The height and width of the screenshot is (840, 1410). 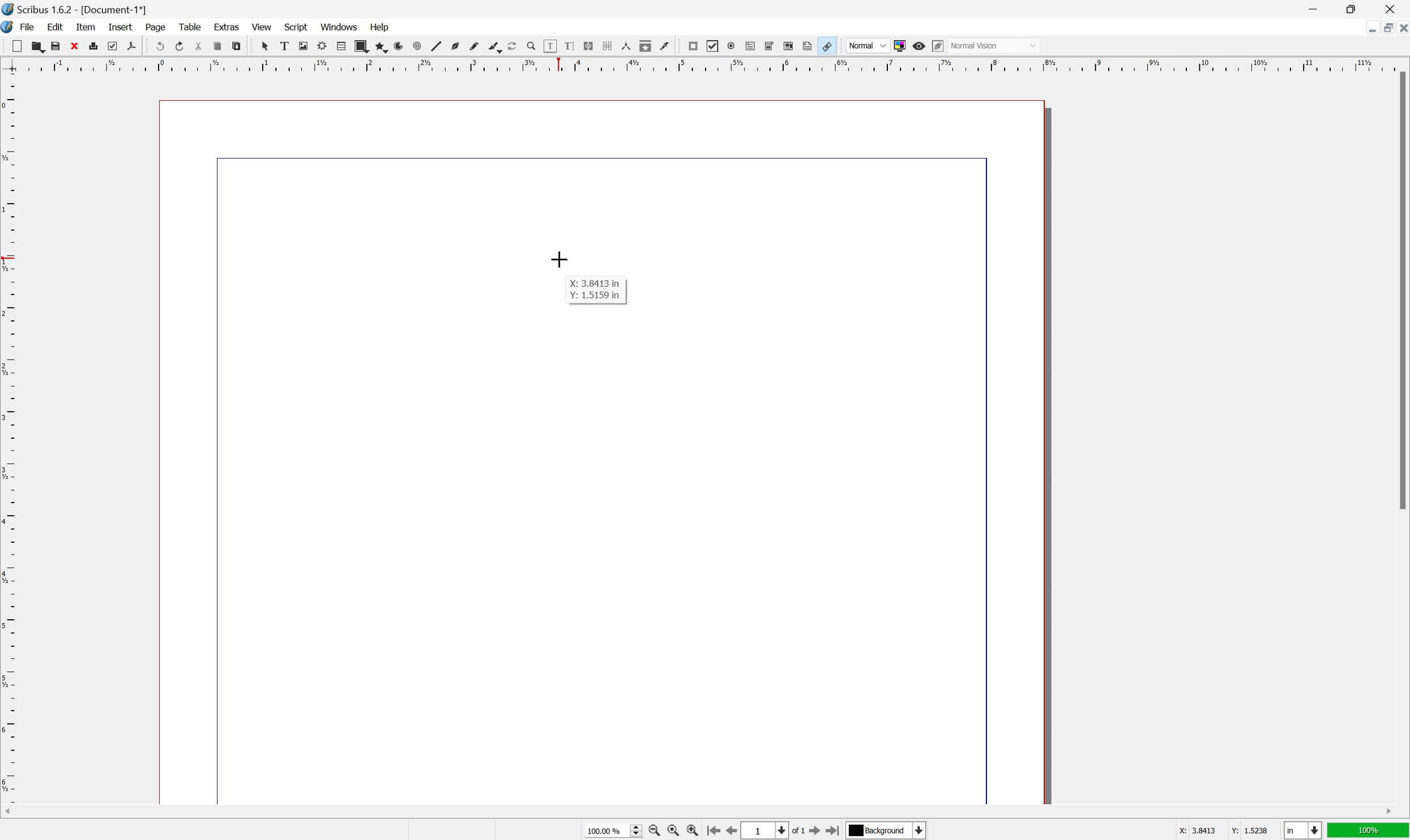 I want to click on link annotation, so click(x=826, y=46).